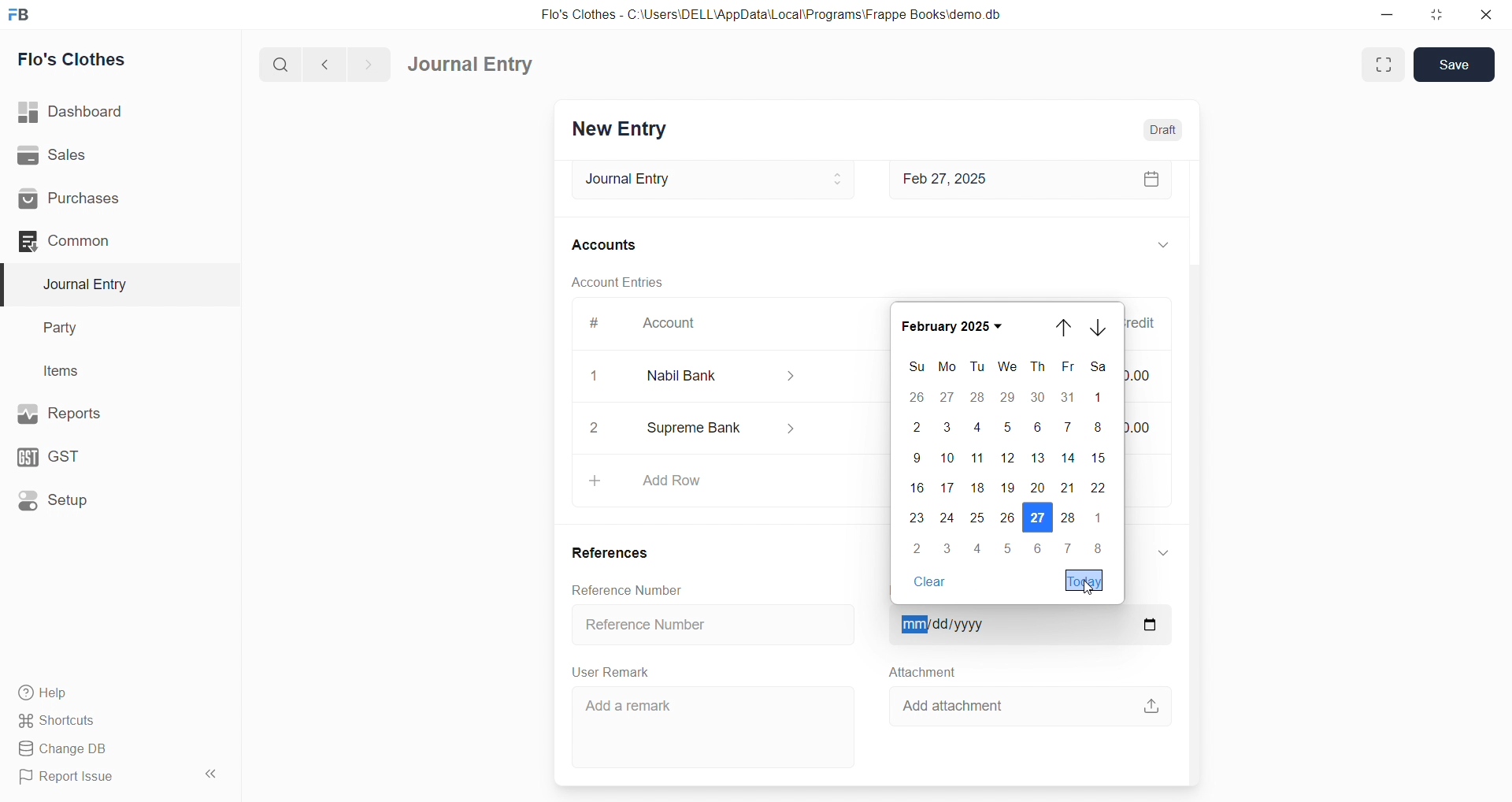 Image resolution: width=1512 pixels, height=802 pixels. Describe the element at coordinates (95, 722) in the screenshot. I see `Shortcuts` at that location.